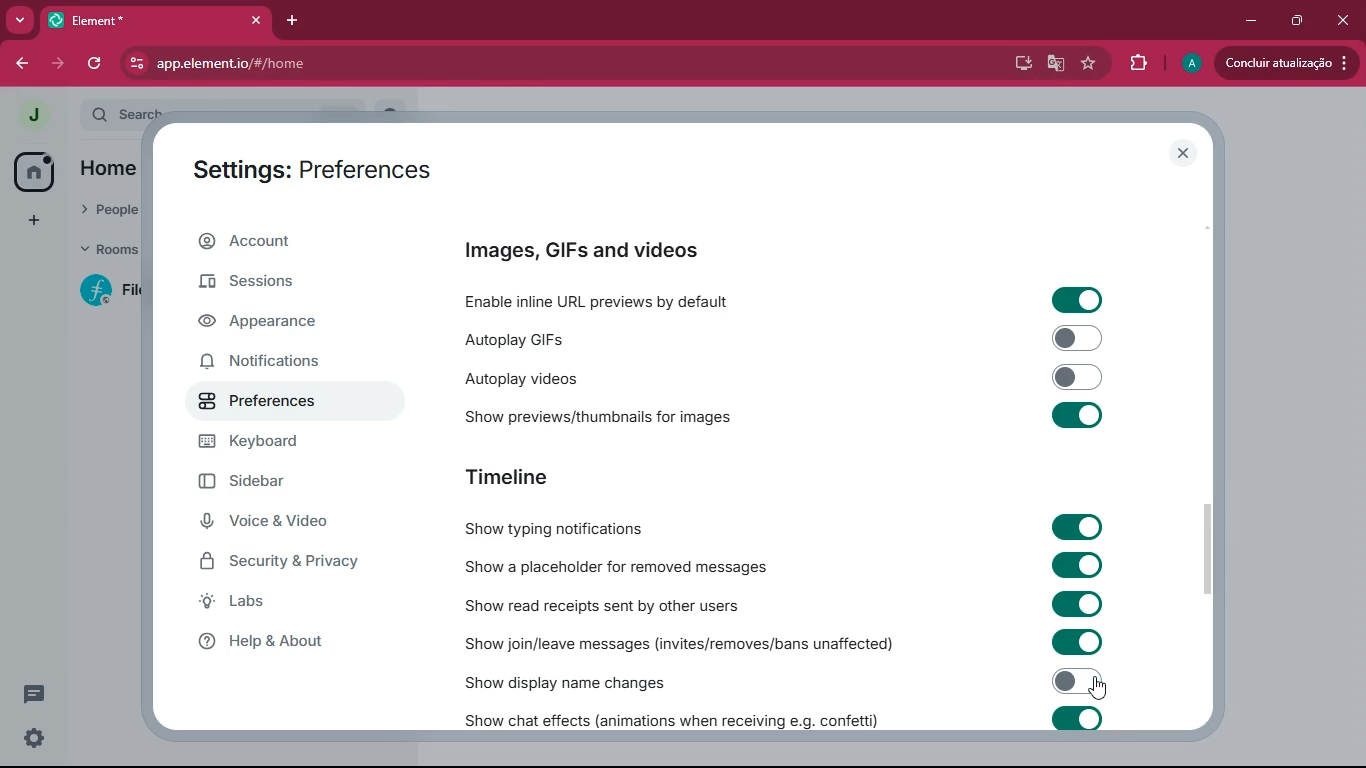 The width and height of the screenshot is (1366, 768). Describe the element at coordinates (1297, 20) in the screenshot. I see `maximize` at that location.